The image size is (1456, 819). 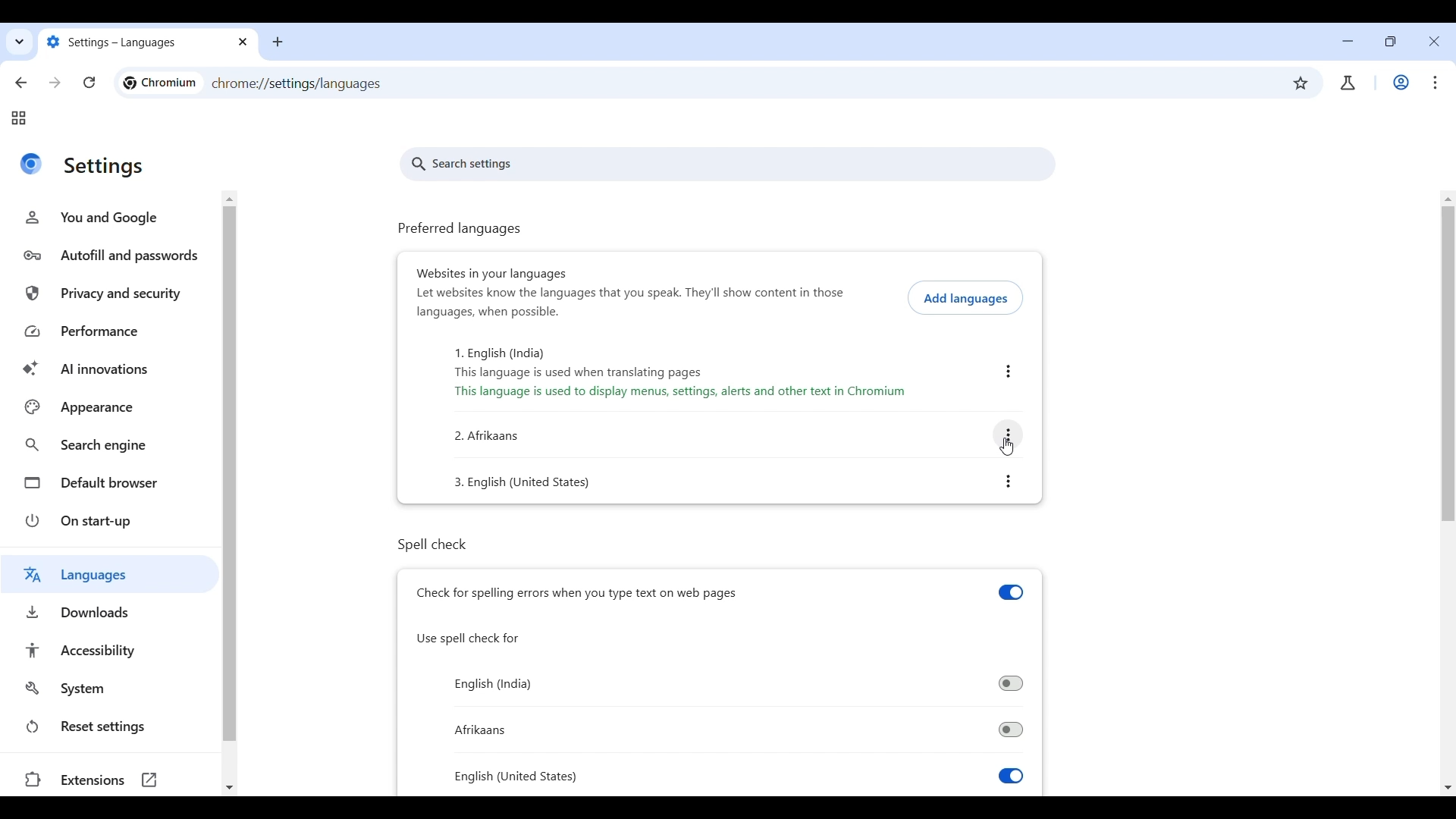 I want to click on spell check, so click(x=453, y=543).